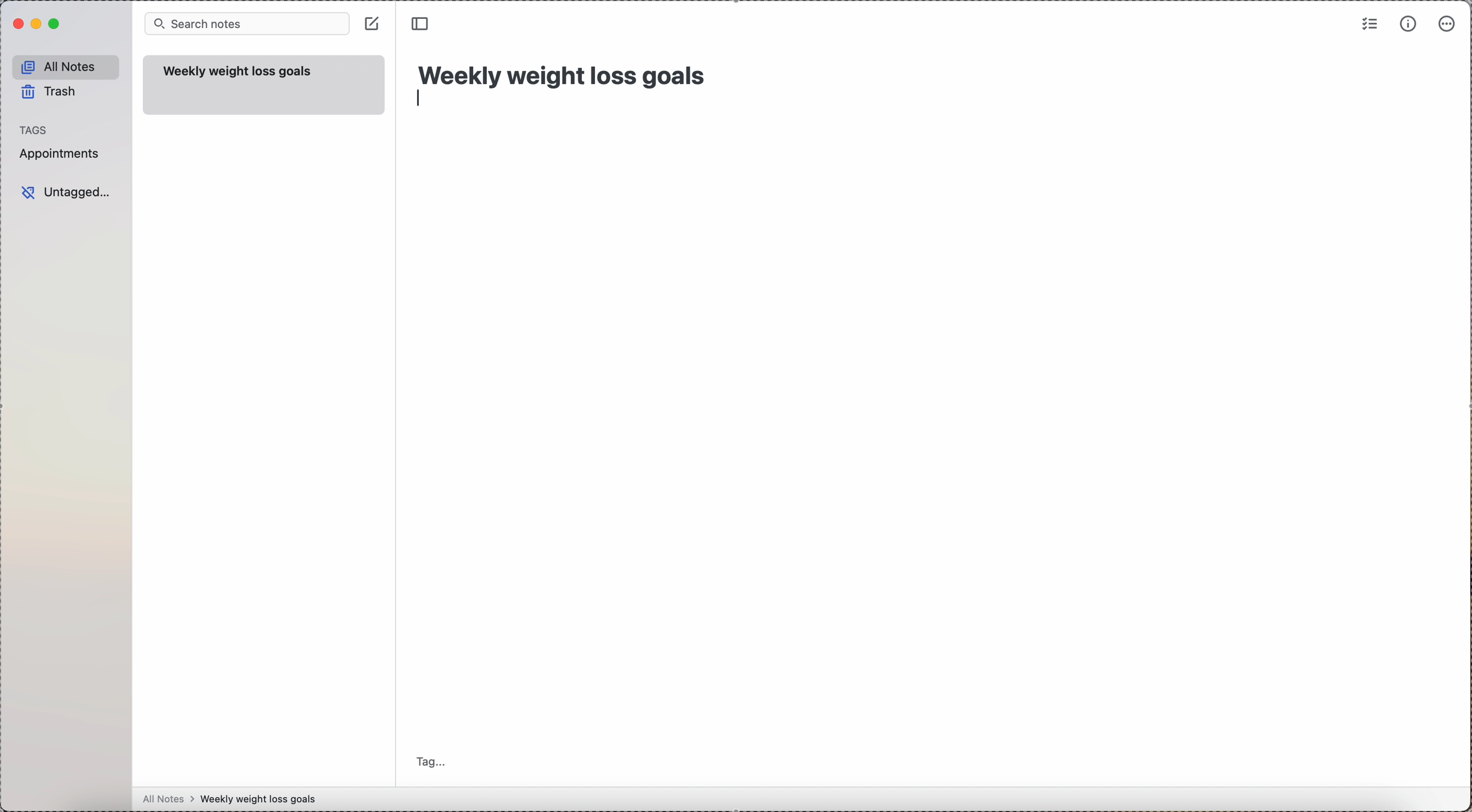  What do you see at coordinates (56, 24) in the screenshot?
I see `maximize Simplenote` at bounding box center [56, 24].